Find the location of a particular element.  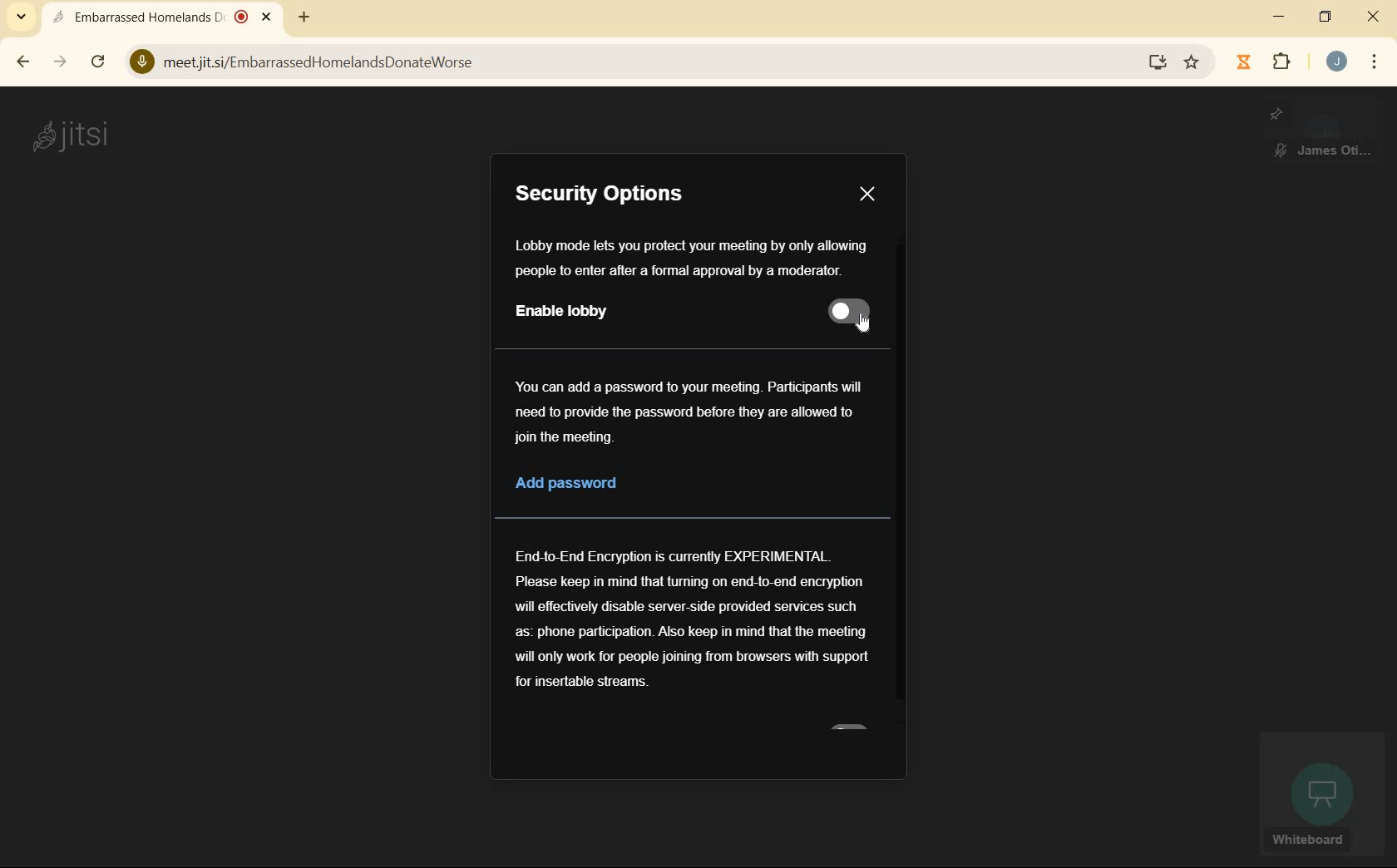

INFOR MATION ON END-TO-END ENCRYPTION is located at coordinates (692, 617).